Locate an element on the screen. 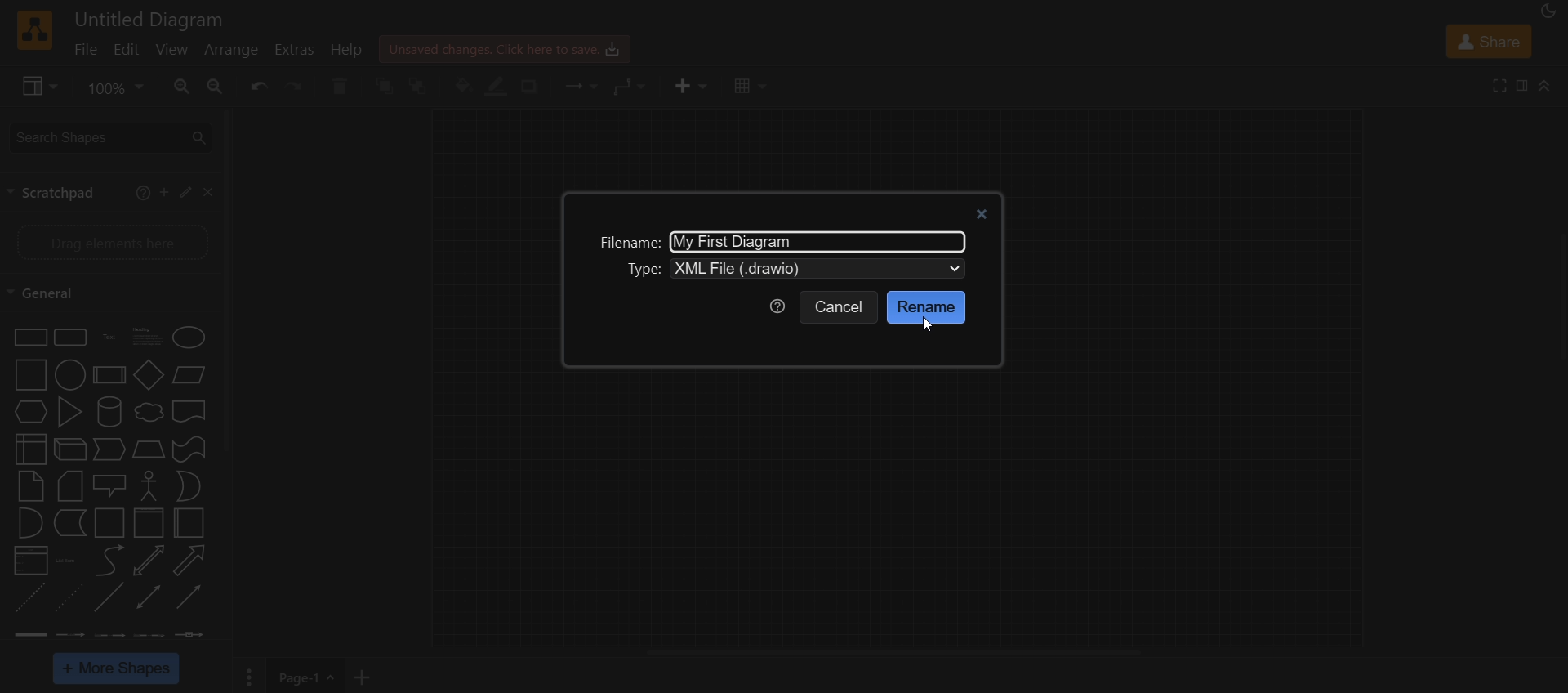 Image resolution: width=1568 pixels, height=693 pixels. page 1 is located at coordinates (310, 676).